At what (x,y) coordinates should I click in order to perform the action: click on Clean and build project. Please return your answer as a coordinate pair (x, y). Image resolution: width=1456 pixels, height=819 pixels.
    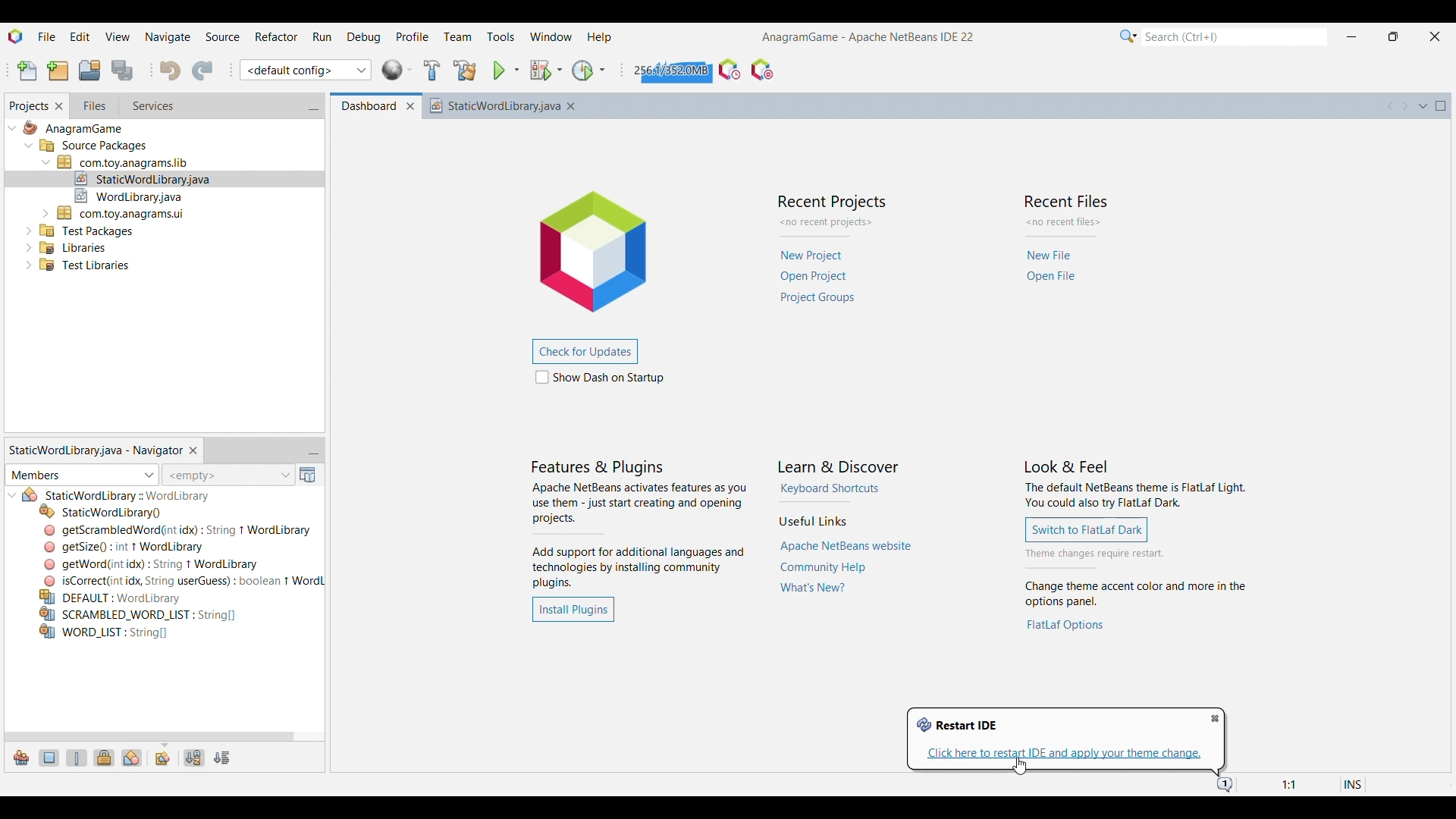
    Looking at the image, I should click on (466, 71).